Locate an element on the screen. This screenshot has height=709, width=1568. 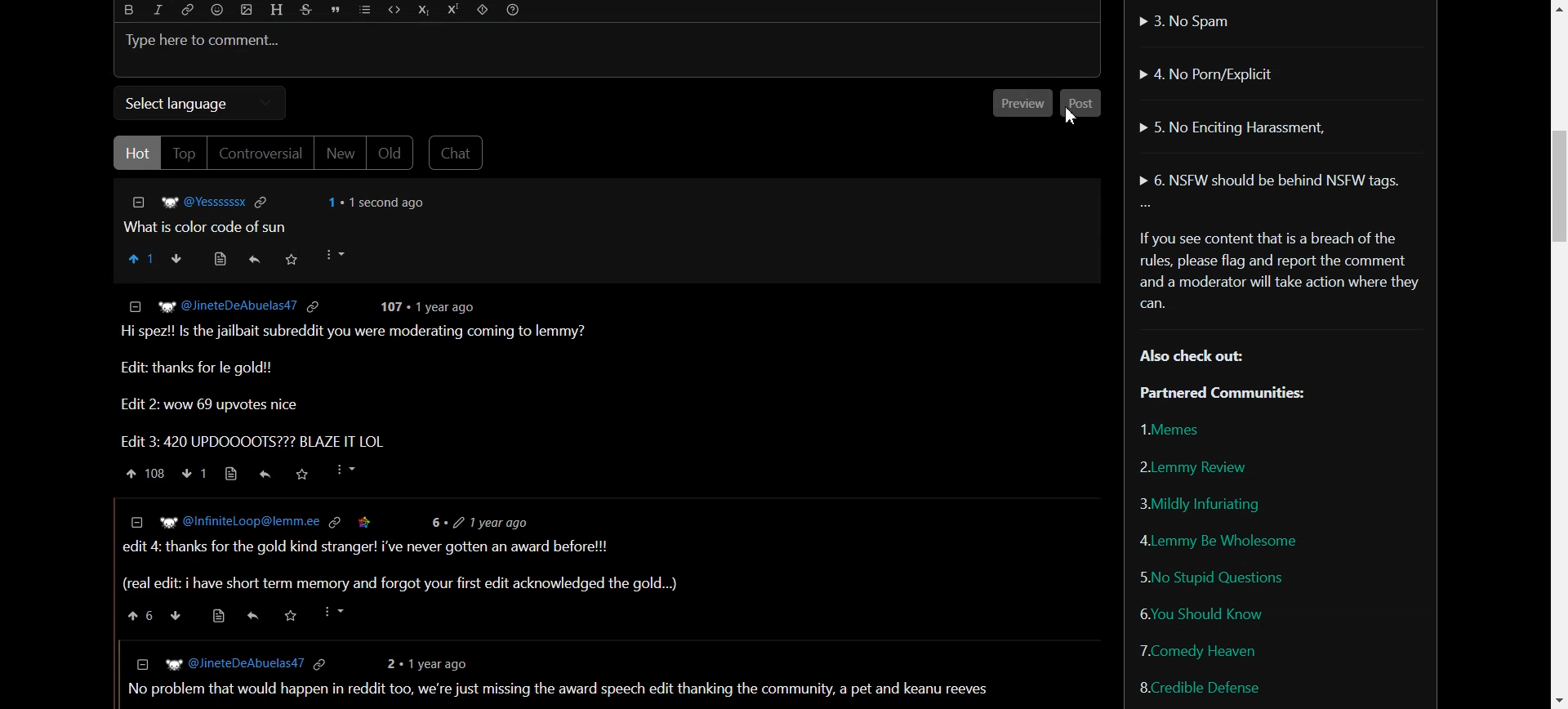
Strikethrough is located at coordinates (307, 10).